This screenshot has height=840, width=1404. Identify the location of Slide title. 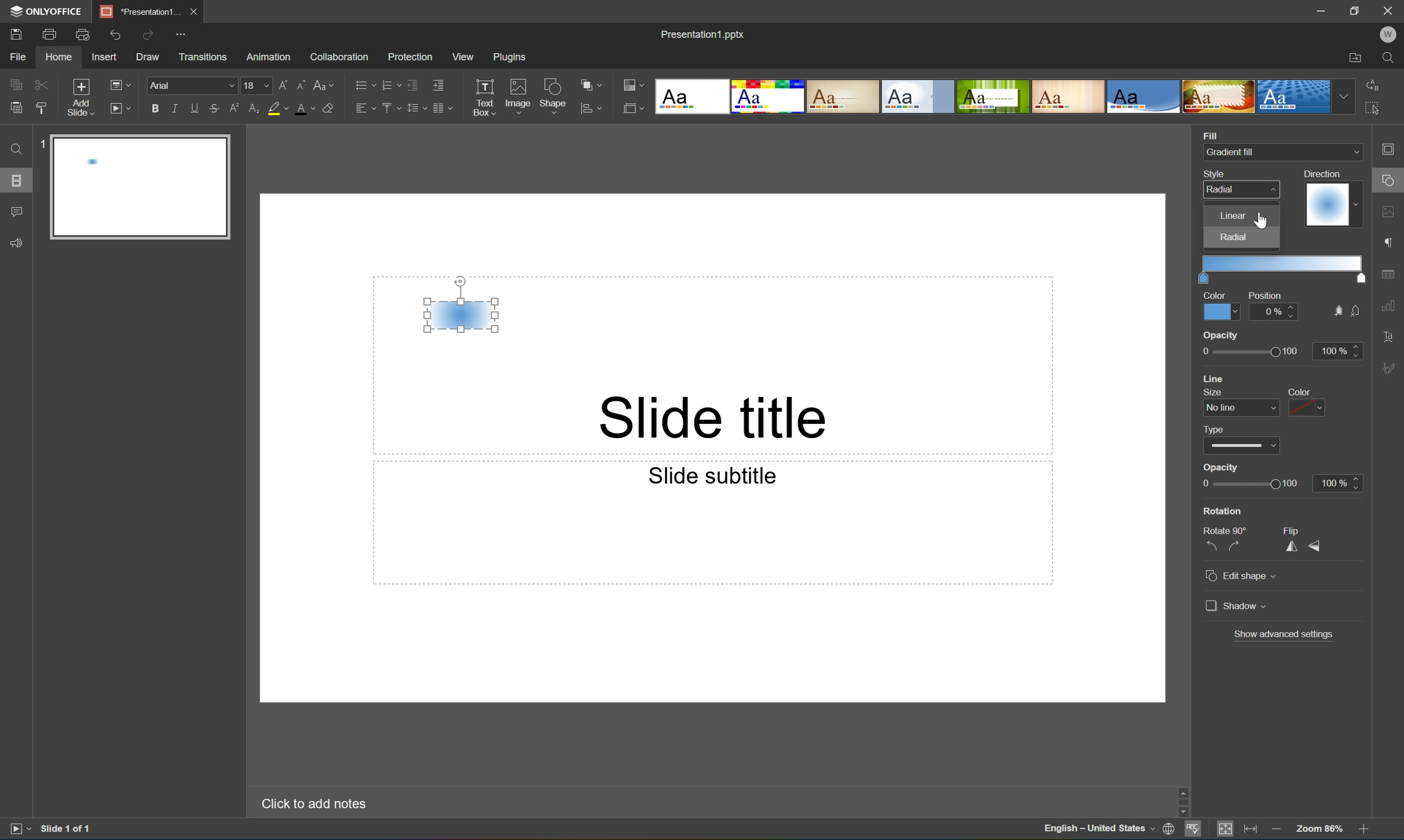
(717, 416).